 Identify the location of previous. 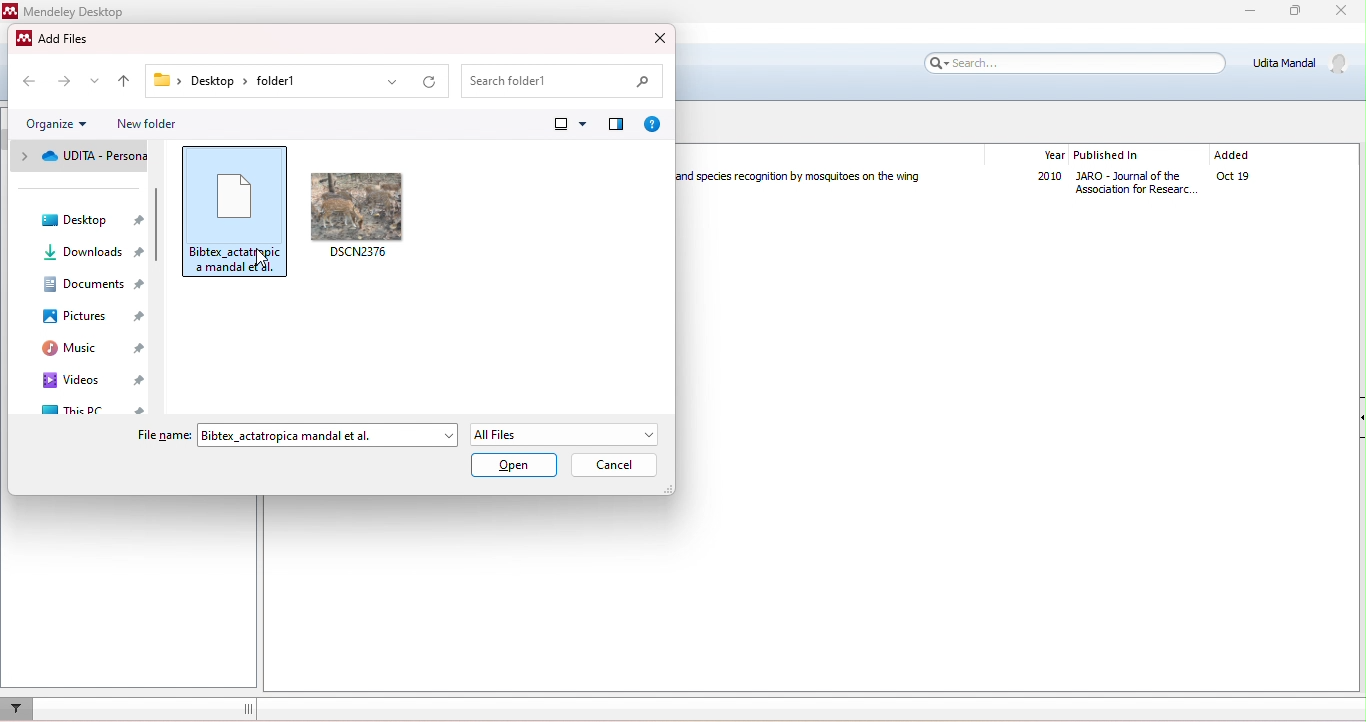
(32, 80).